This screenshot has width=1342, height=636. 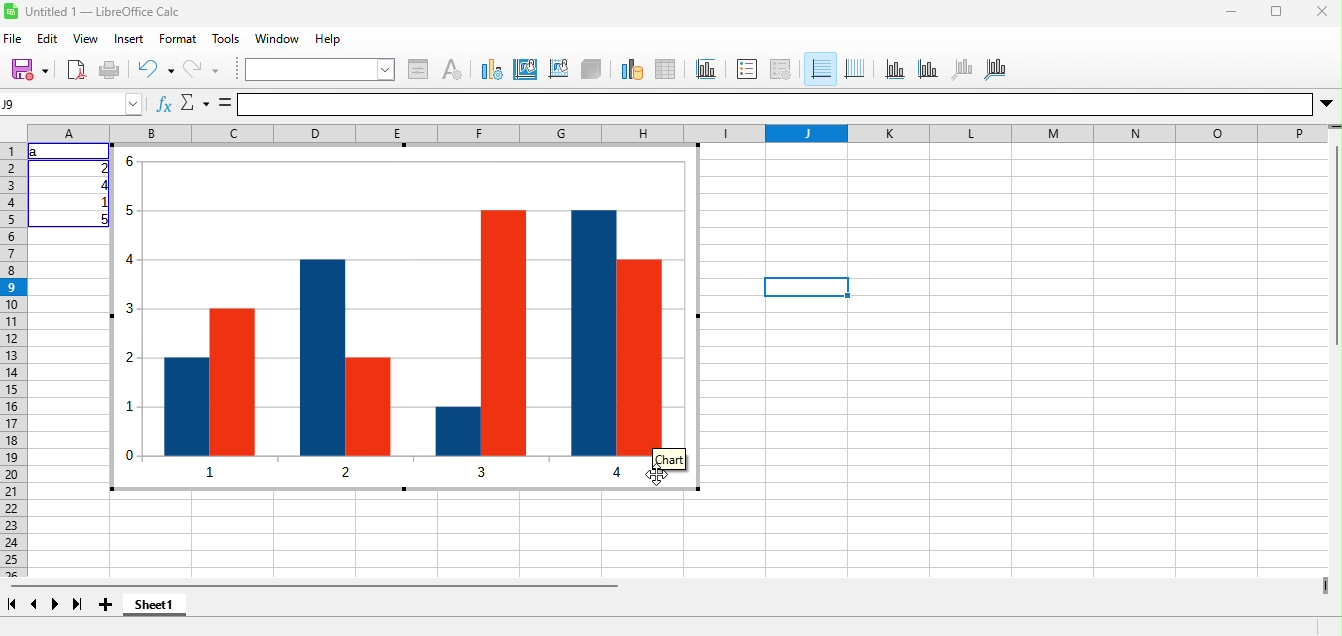 What do you see at coordinates (13, 605) in the screenshot?
I see `first sheet` at bounding box center [13, 605].